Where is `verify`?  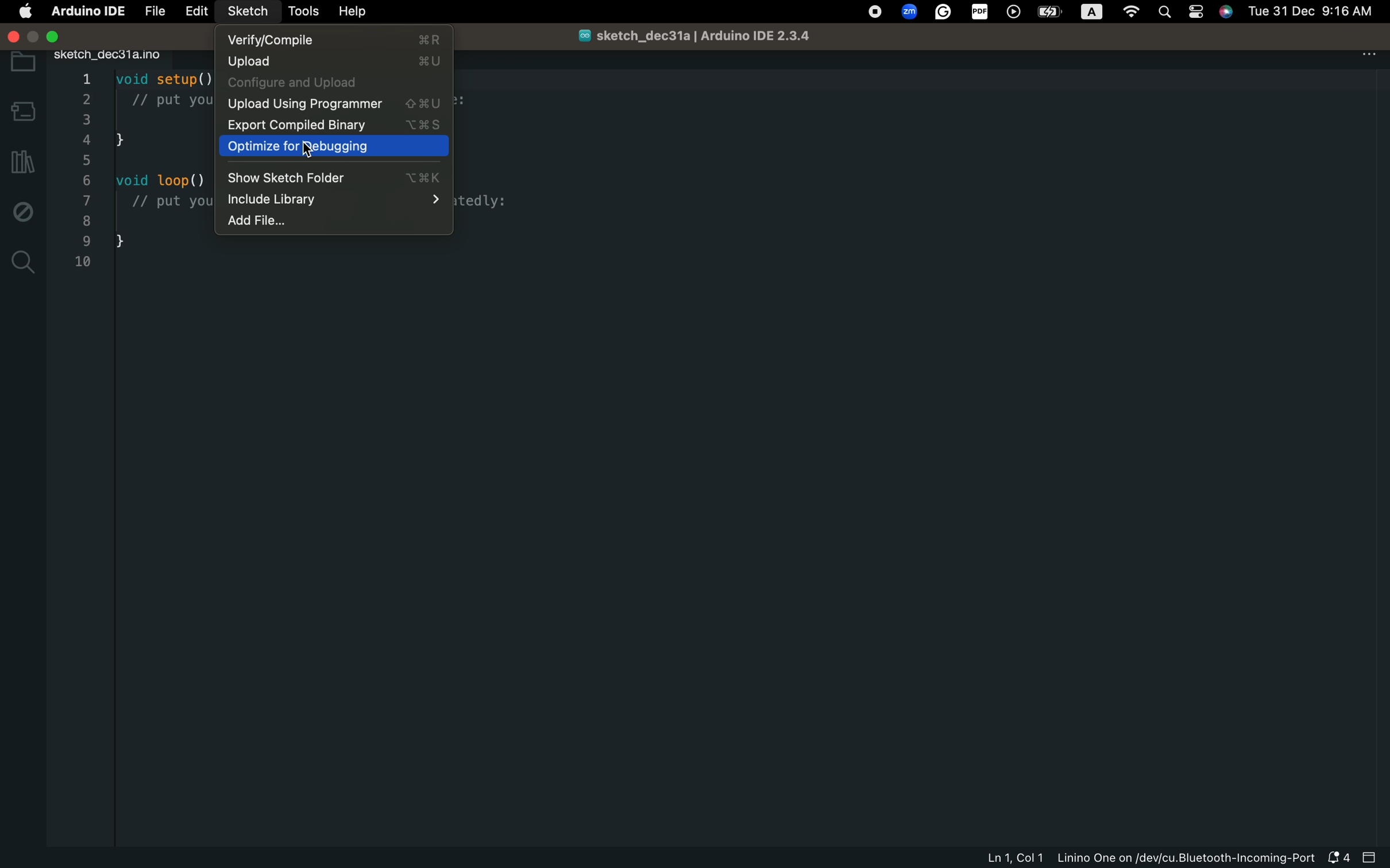 verify is located at coordinates (334, 40).